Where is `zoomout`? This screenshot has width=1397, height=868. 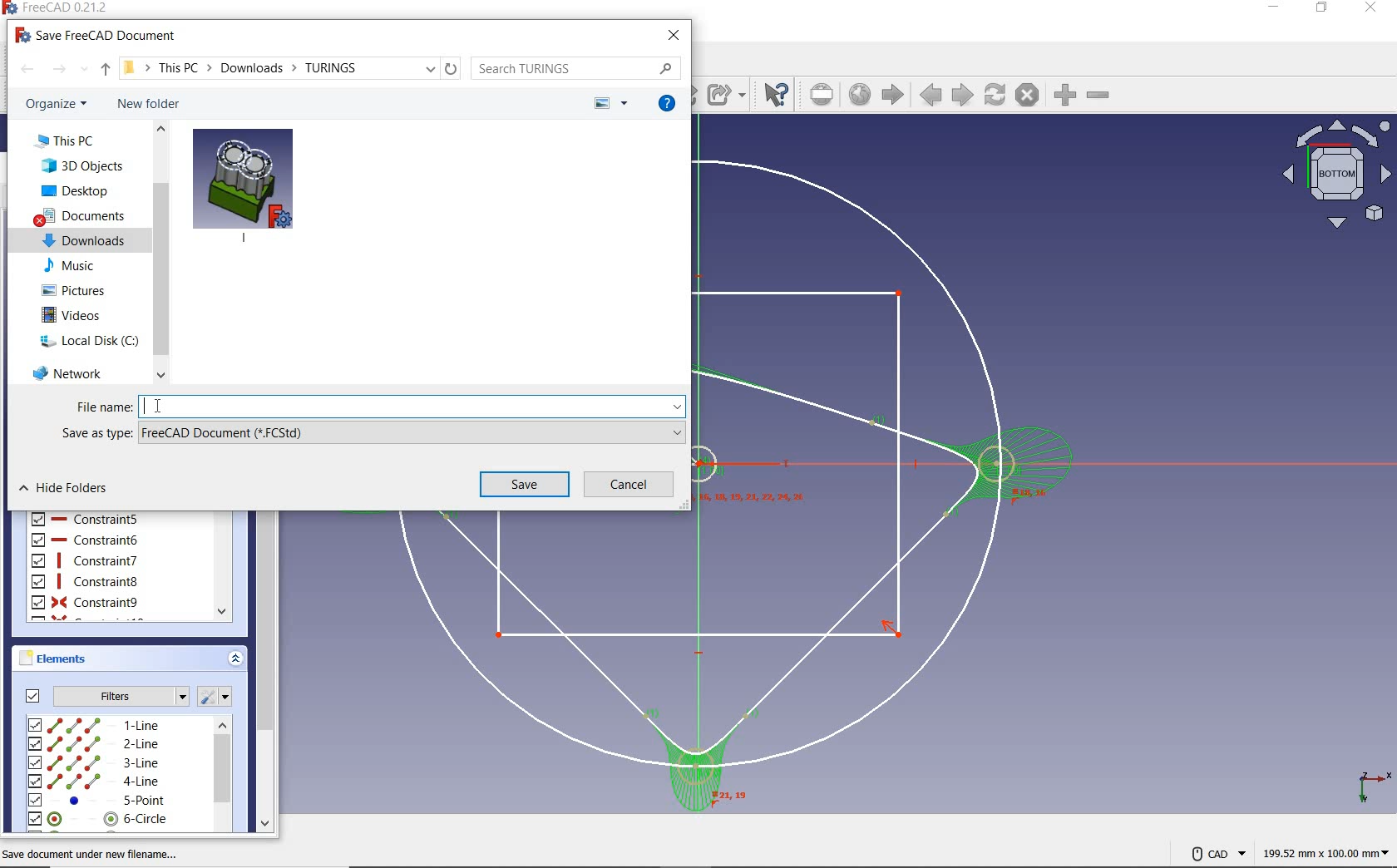
zoomout is located at coordinates (1100, 98).